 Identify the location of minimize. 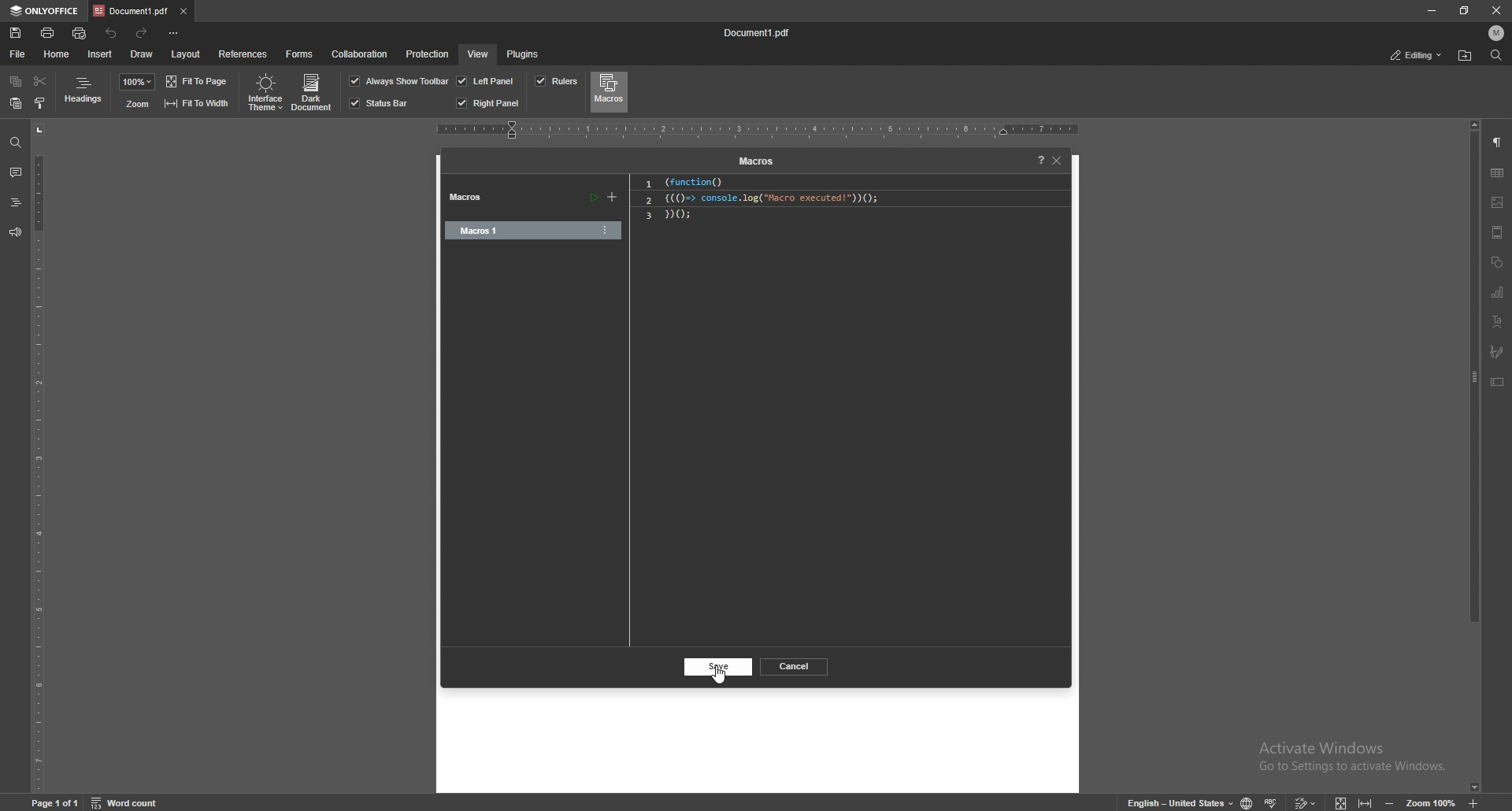
(1432, 11).